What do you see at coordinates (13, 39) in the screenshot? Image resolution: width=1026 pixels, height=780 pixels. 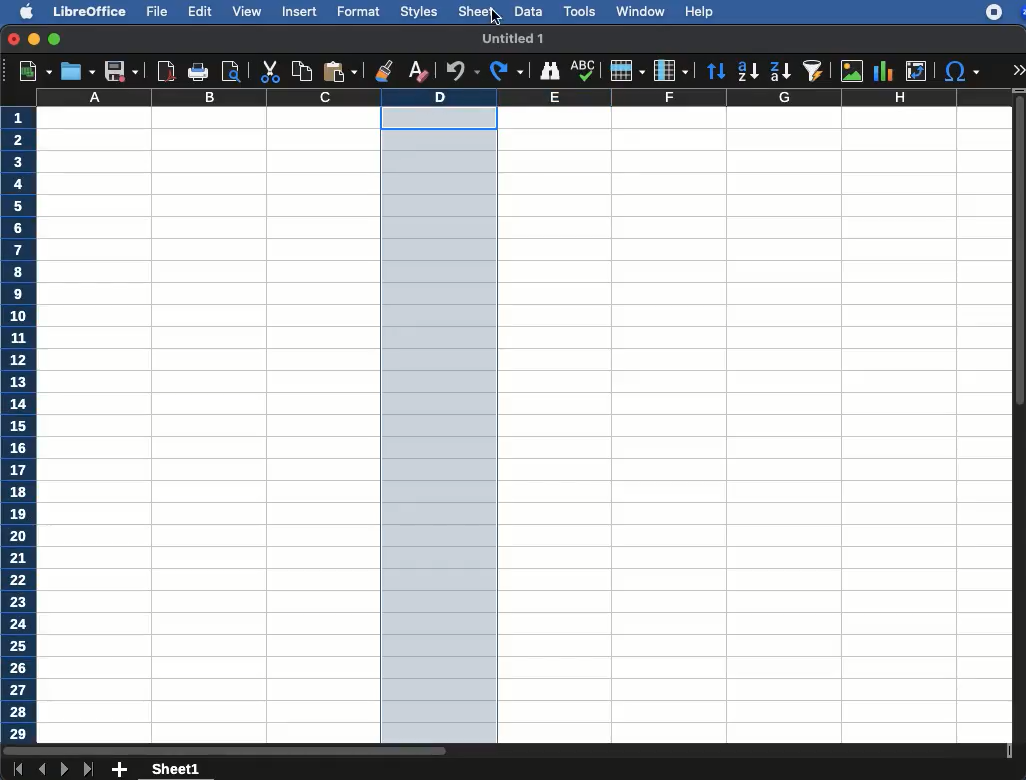 I see `close` at bounding box center [13, 39].